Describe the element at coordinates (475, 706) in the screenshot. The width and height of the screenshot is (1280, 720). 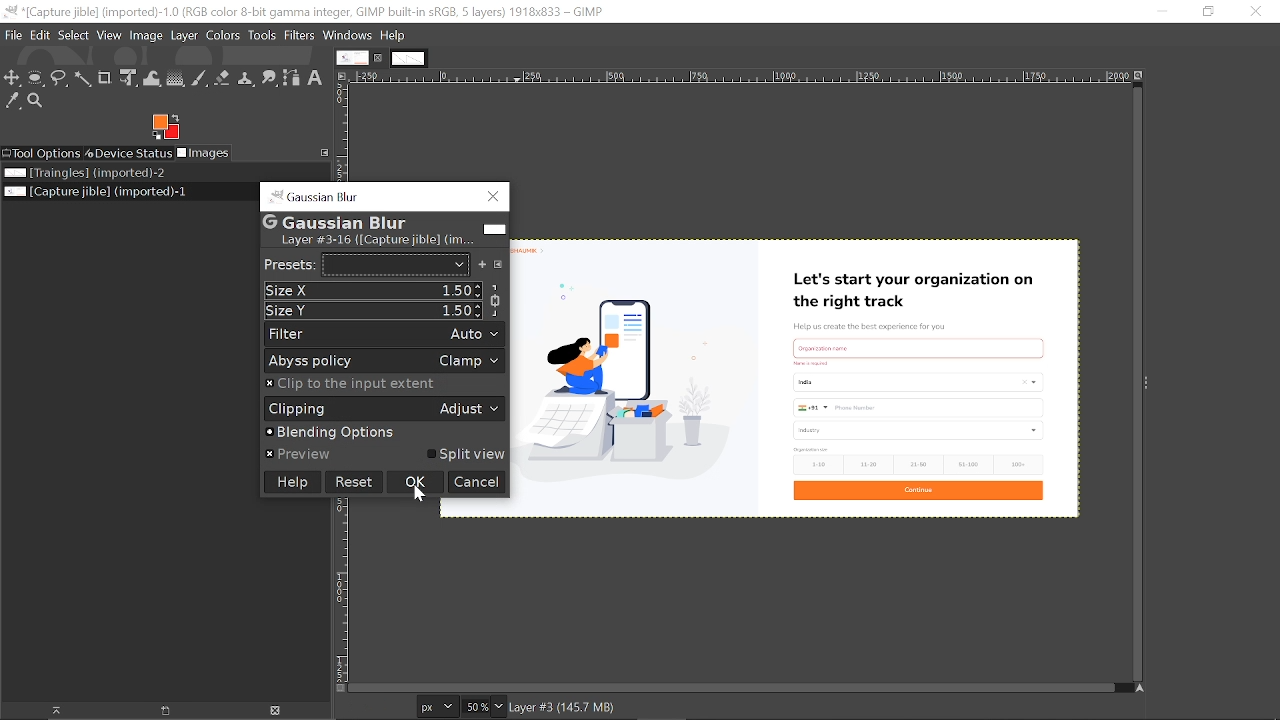
I see `Current zoom` at that location.